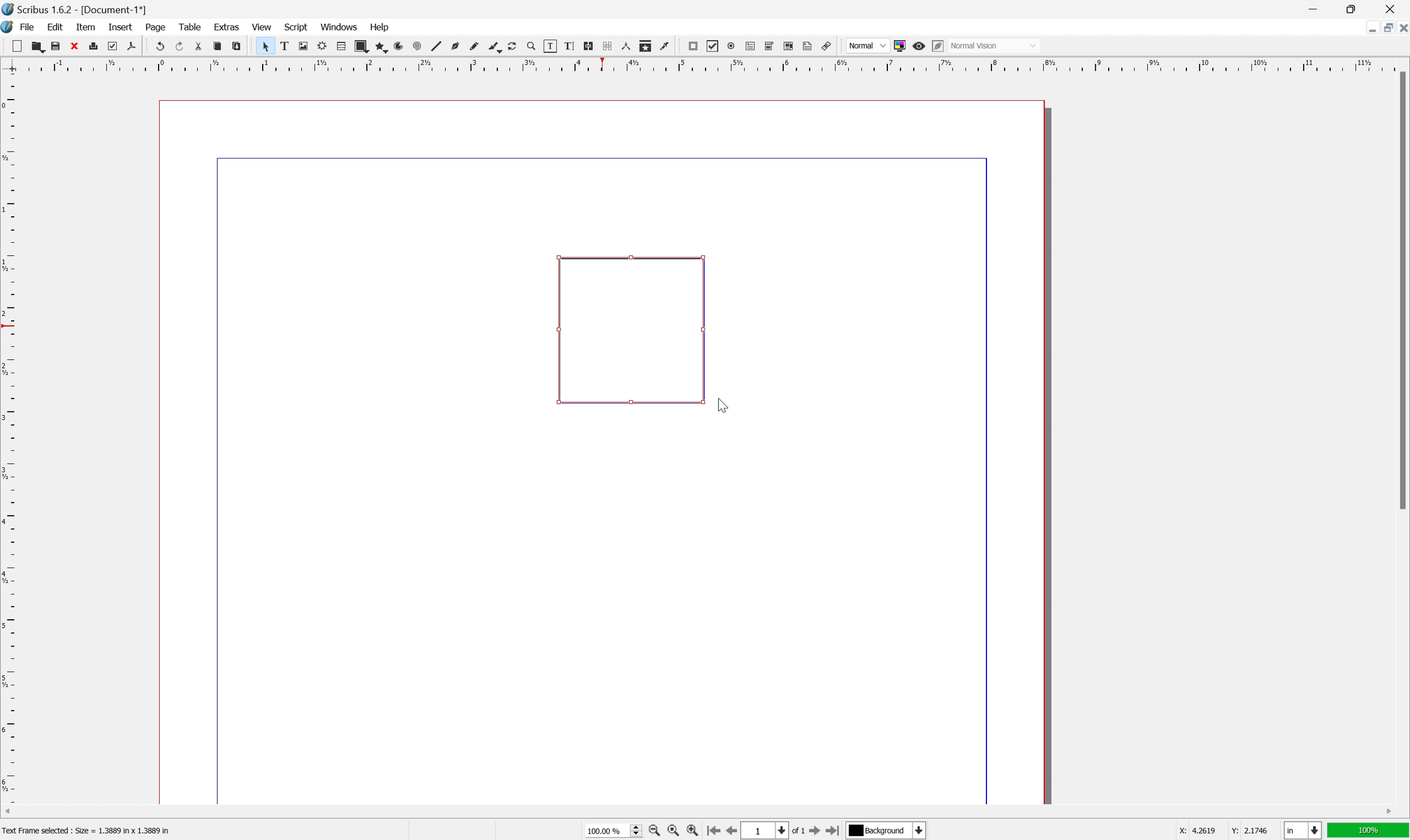  Describe the element at coordinates (569, 46) in the screenshot. I see `edit text with story editor` at that location.